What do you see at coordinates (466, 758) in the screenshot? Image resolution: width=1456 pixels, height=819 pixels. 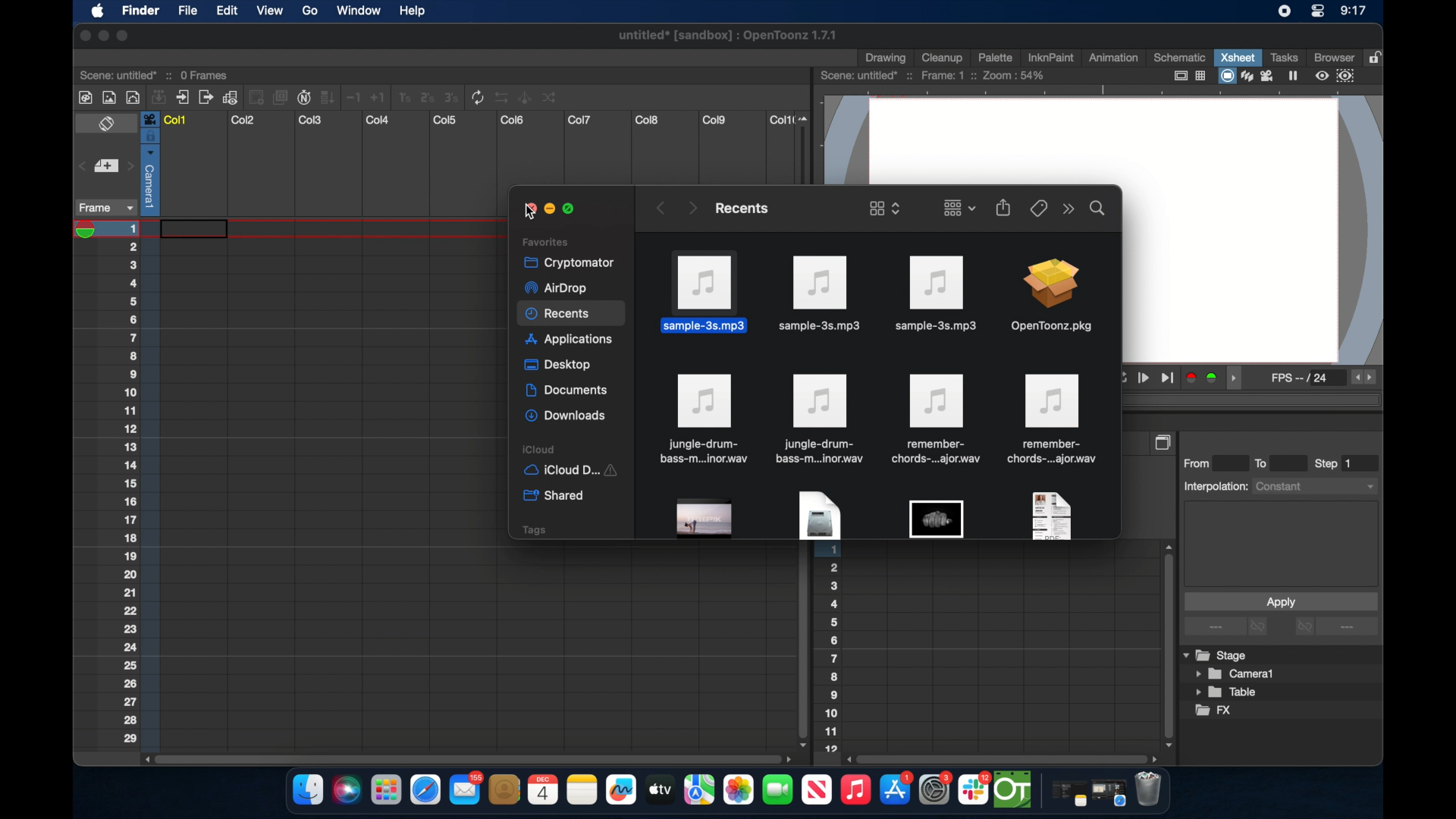 I see `scroll box` at bounding box center [466, 758].